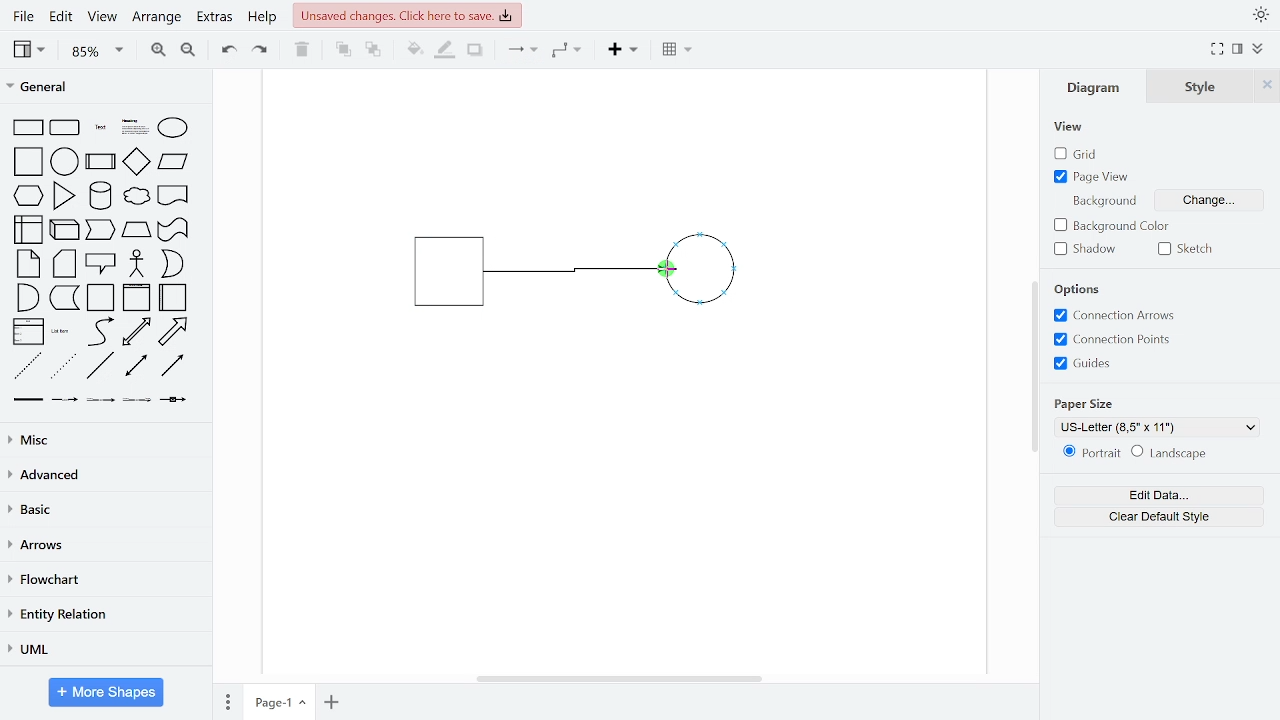 The image size is (1280, 720). Describe the element at coordinates (622, 678) in the screenshot. I see `horizontal scrollbar` at that location.